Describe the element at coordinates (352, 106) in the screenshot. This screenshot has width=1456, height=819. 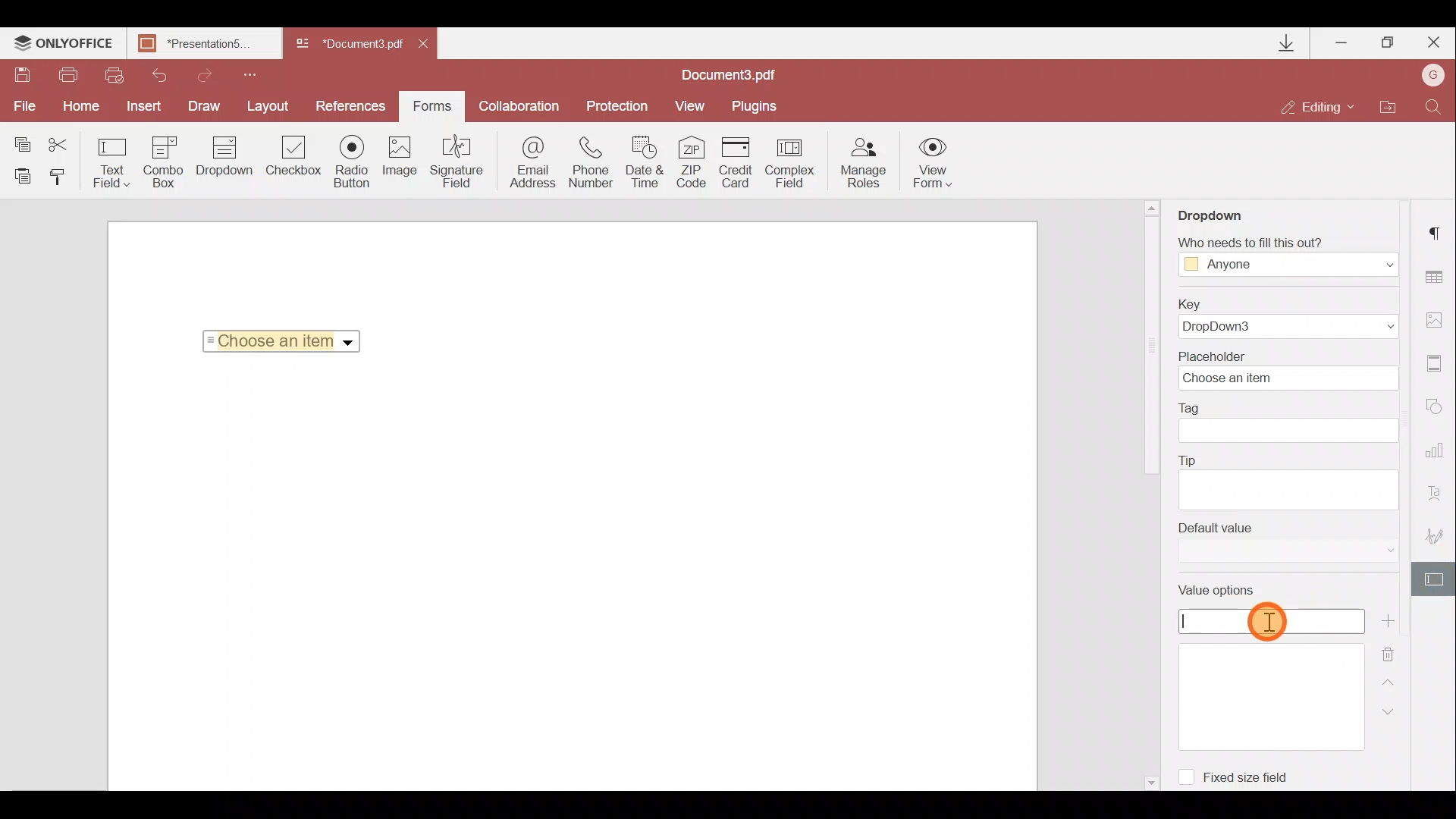
I see `Preferences` at that location.